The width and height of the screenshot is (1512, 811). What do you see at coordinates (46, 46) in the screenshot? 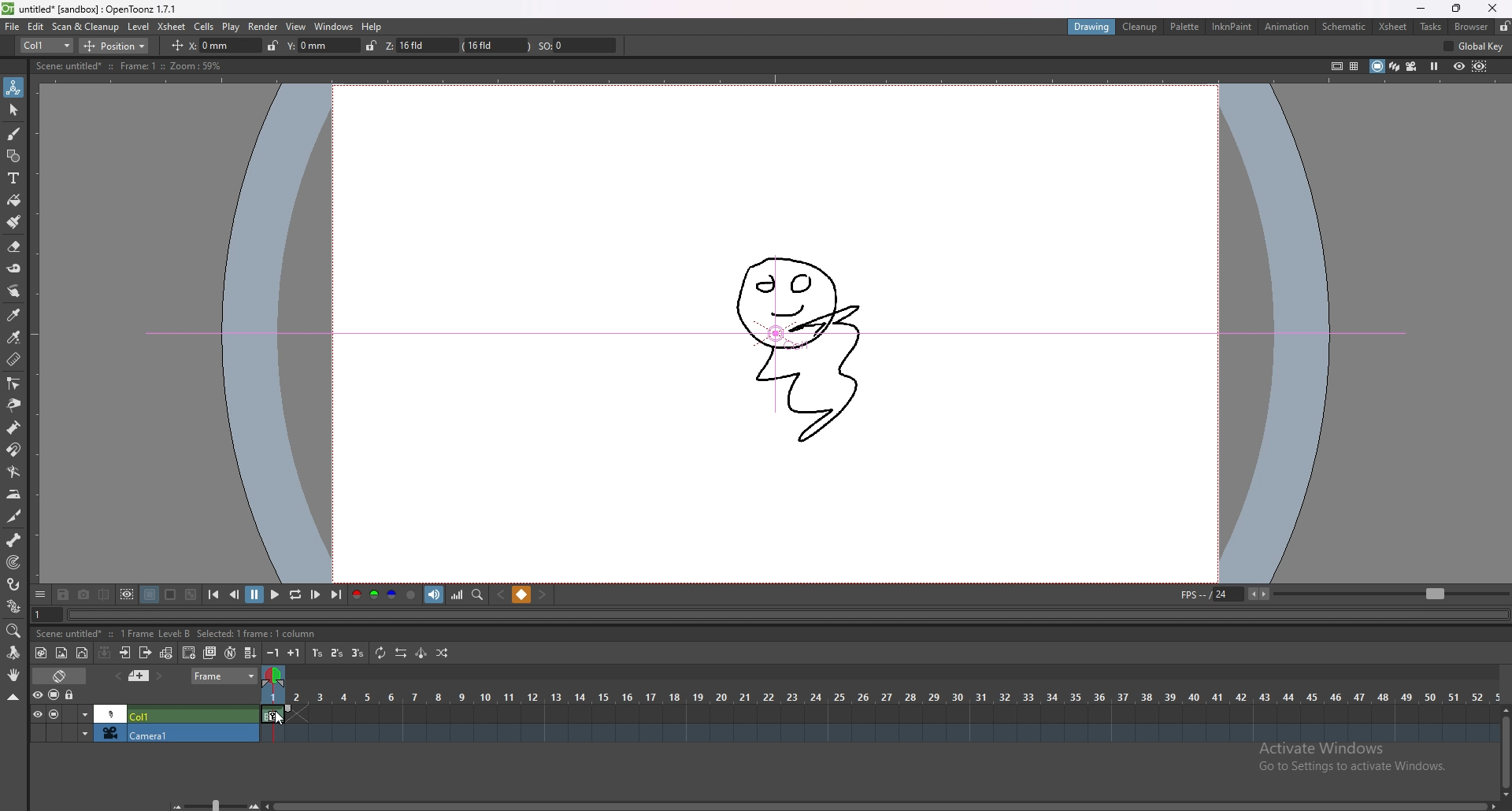
I see `type` at bounding box center [46, 46].